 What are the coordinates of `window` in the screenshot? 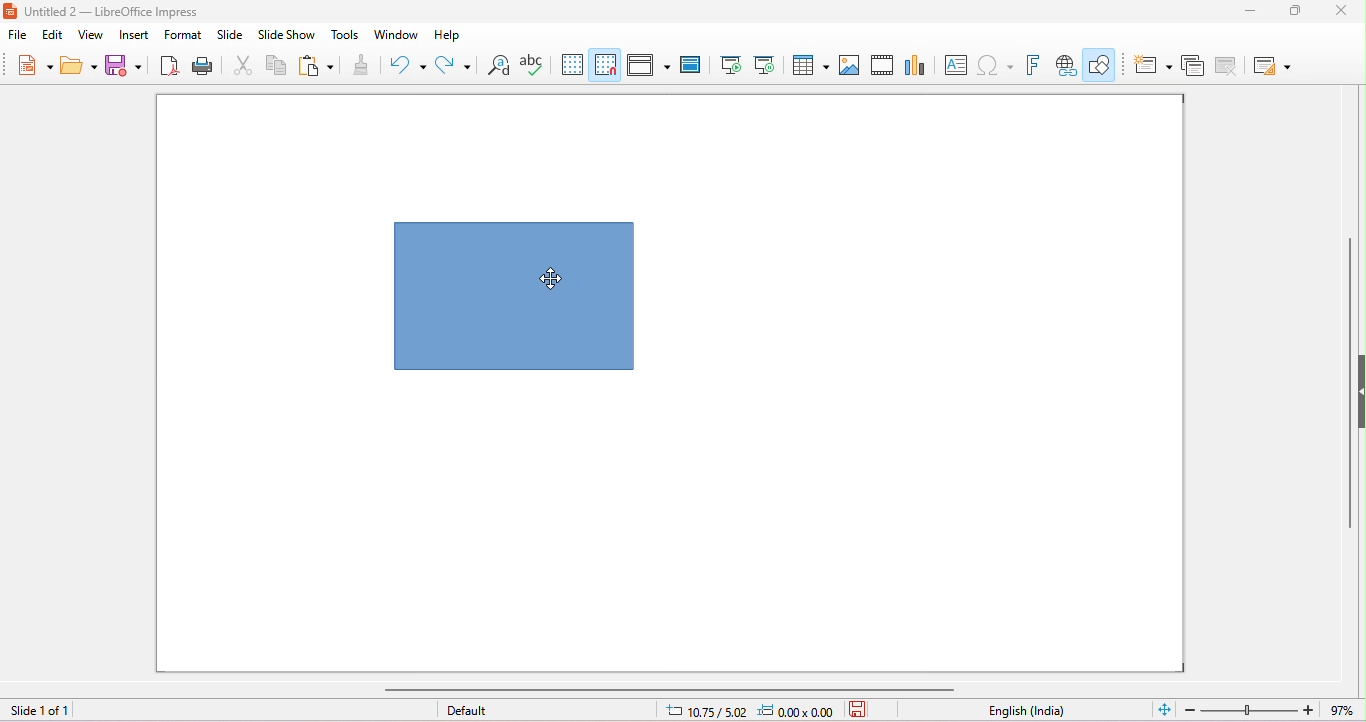 It's located at (397, 34).